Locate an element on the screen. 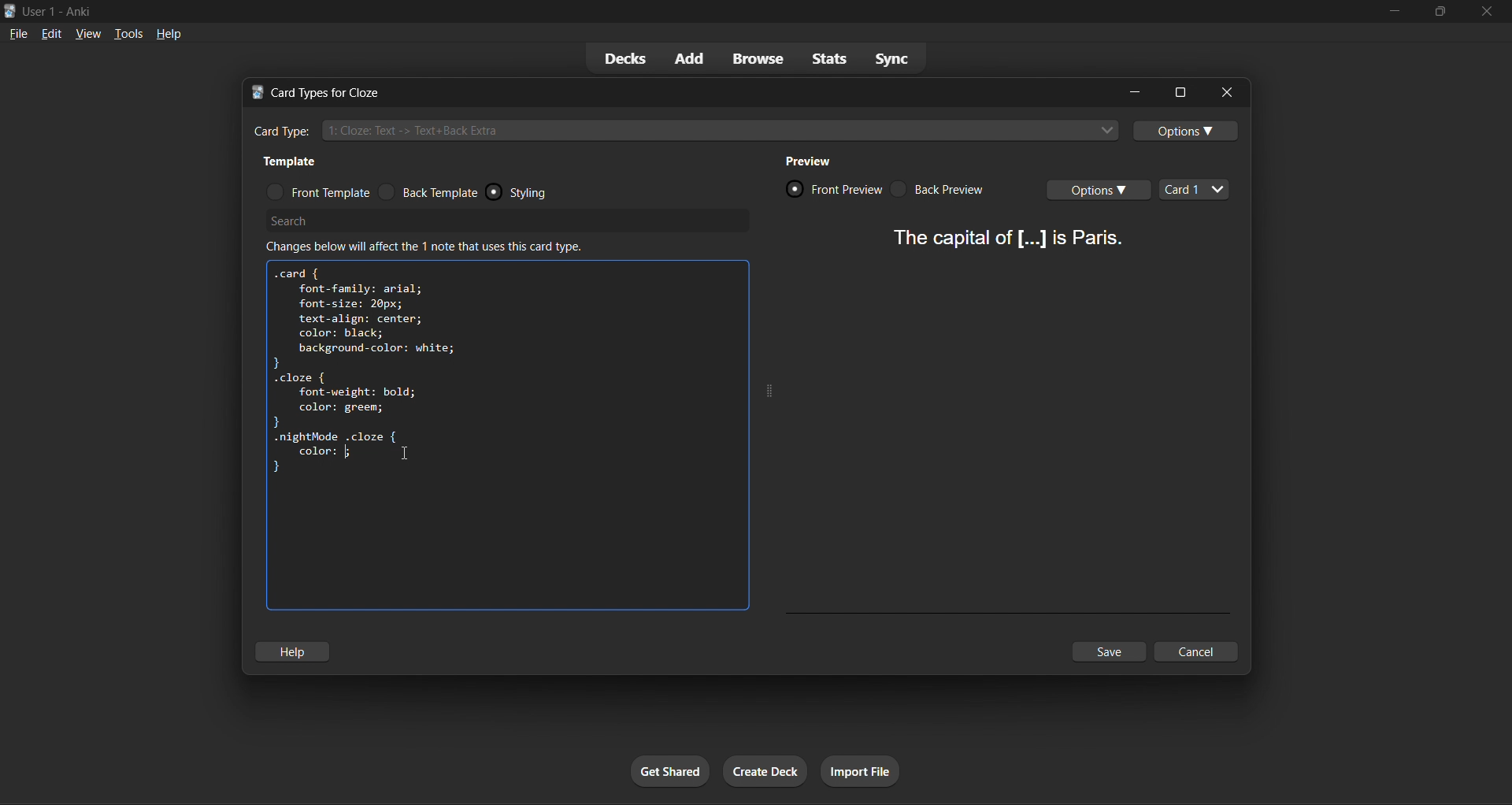  create deck is located at coordinates (766, 772).